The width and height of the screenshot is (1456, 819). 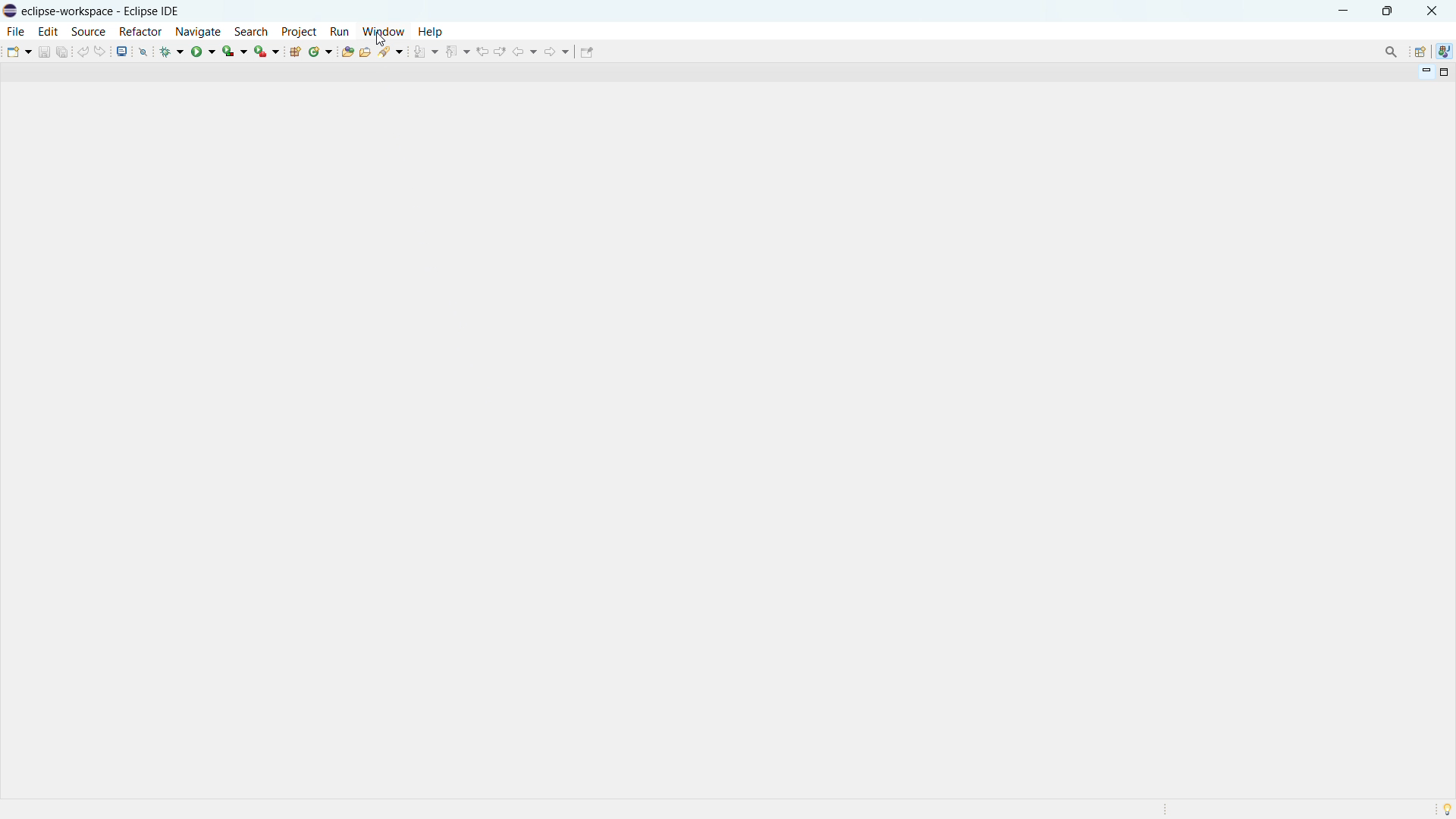 What do you see at coordinates (173, 51) in the screenshot?
I see `debug` at bounding box center [173, 51].